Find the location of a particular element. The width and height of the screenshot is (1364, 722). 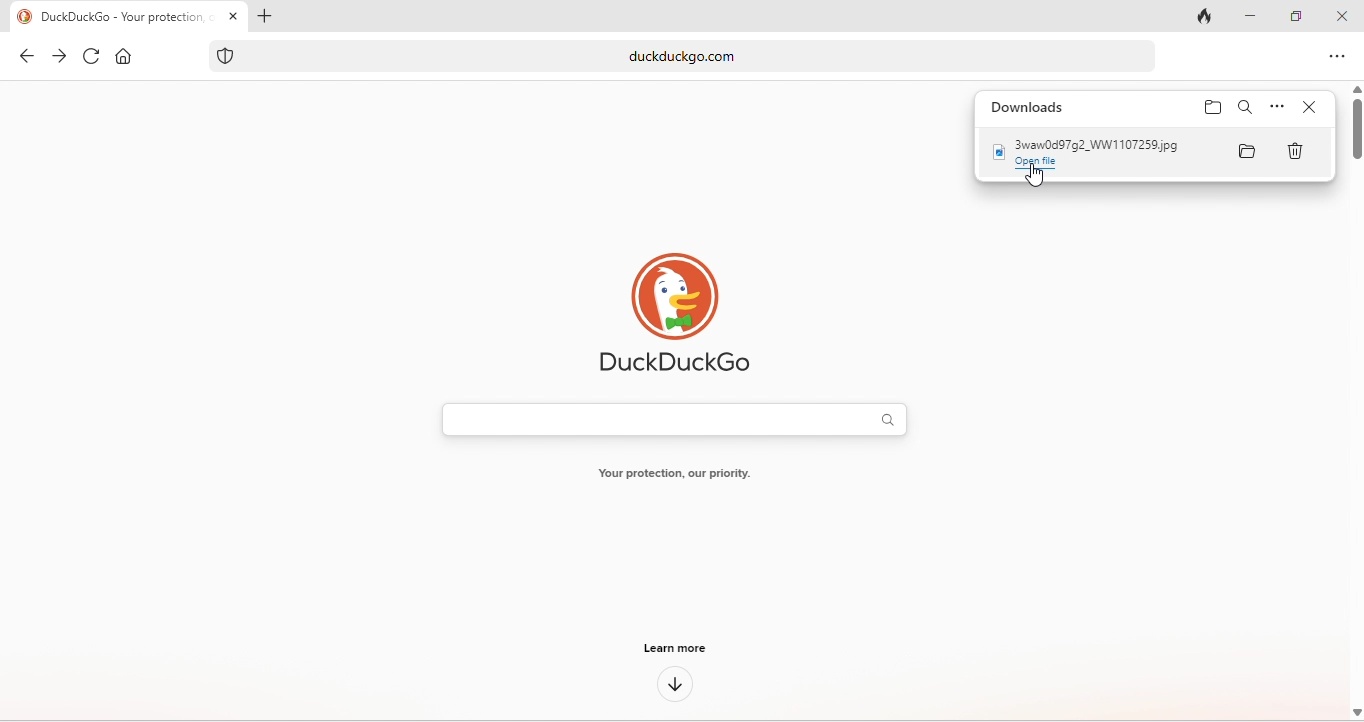

Your protection, our priority is located at coordinates (680, 471).